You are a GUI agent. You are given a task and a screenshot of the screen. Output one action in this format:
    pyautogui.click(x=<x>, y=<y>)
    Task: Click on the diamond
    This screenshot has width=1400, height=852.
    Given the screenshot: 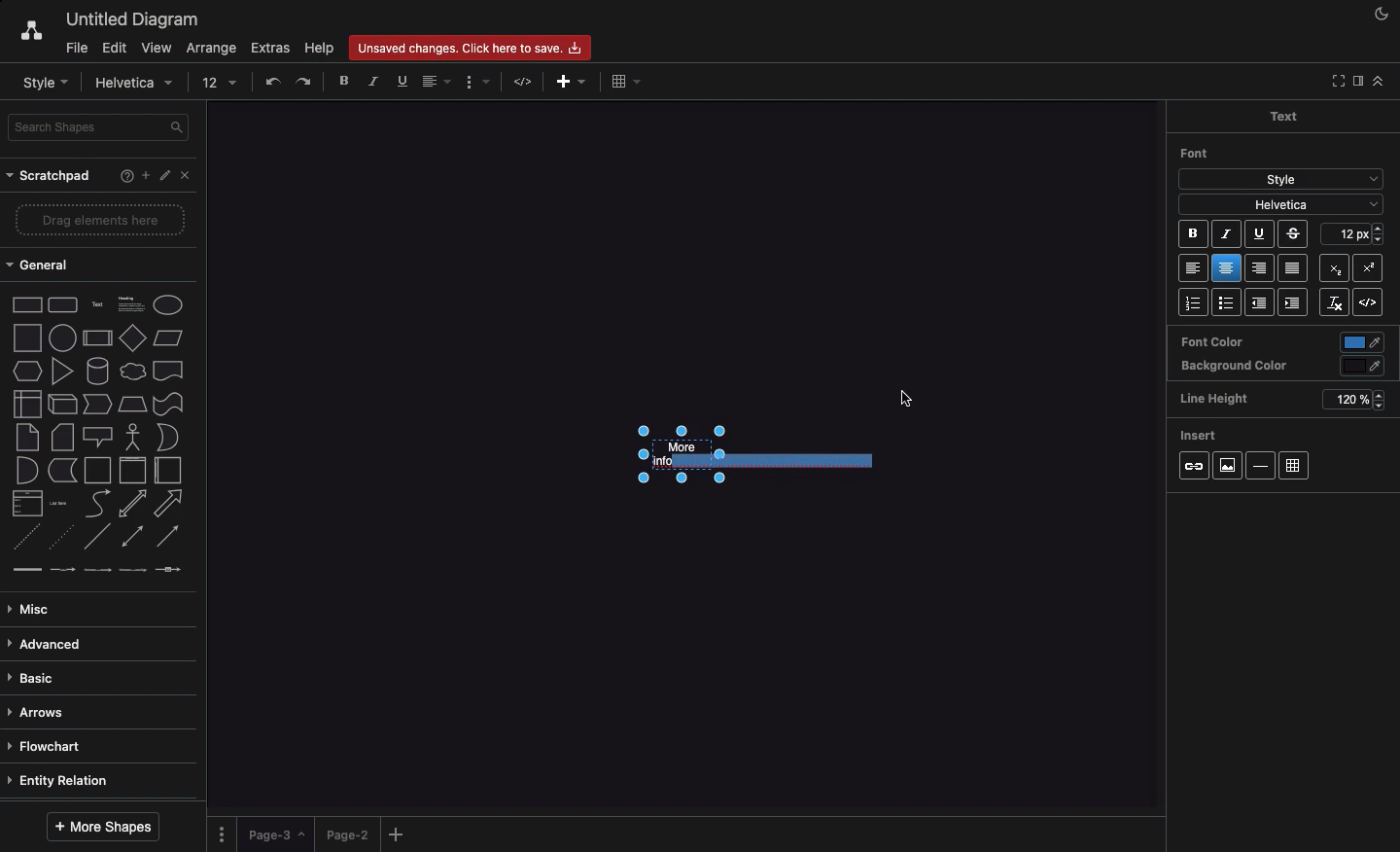 What is the action you would take?
    pyautogui.click(x=133, y=337)
    